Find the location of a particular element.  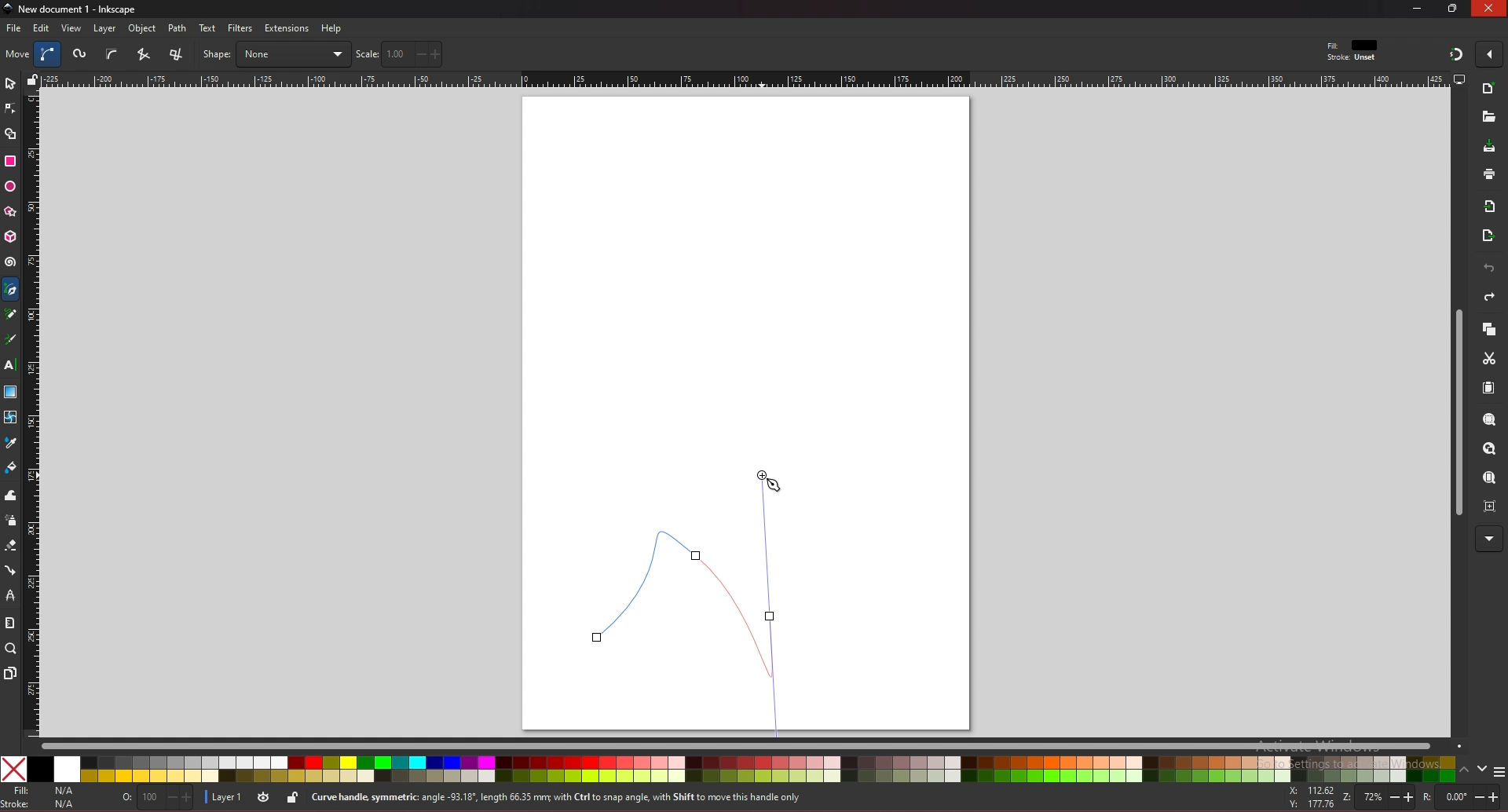

zoom drawing is located at coordinates (1488, 449).